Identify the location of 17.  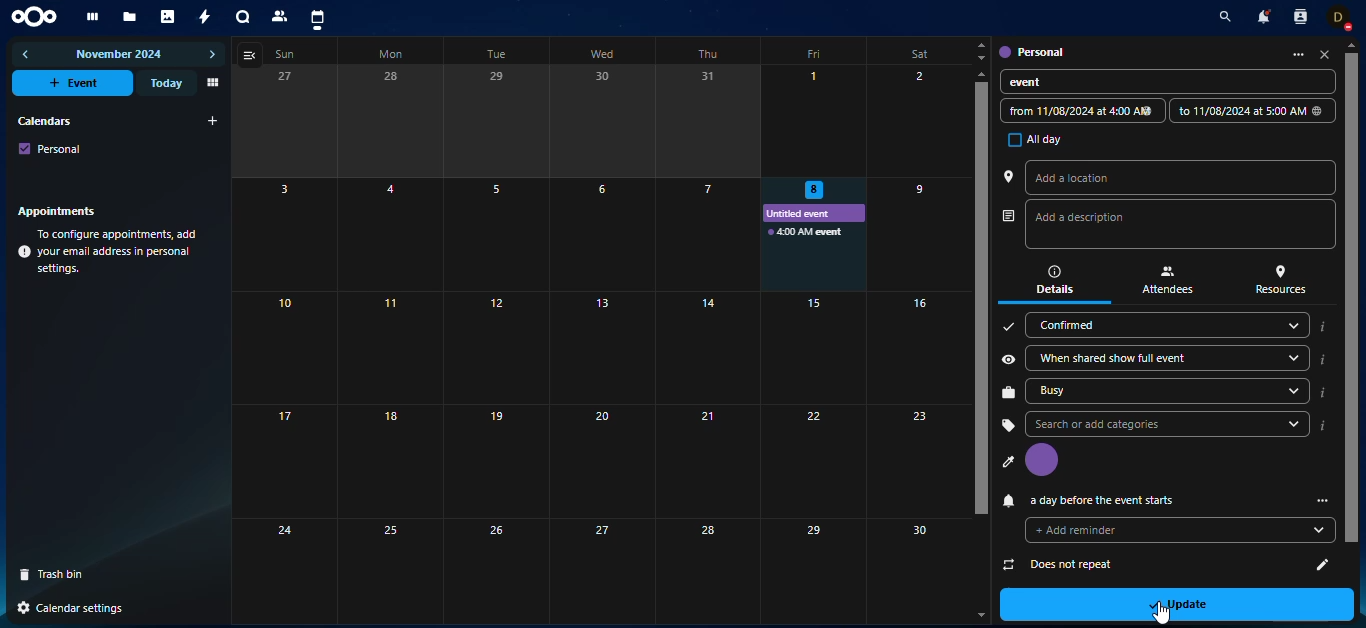
(286, 461).